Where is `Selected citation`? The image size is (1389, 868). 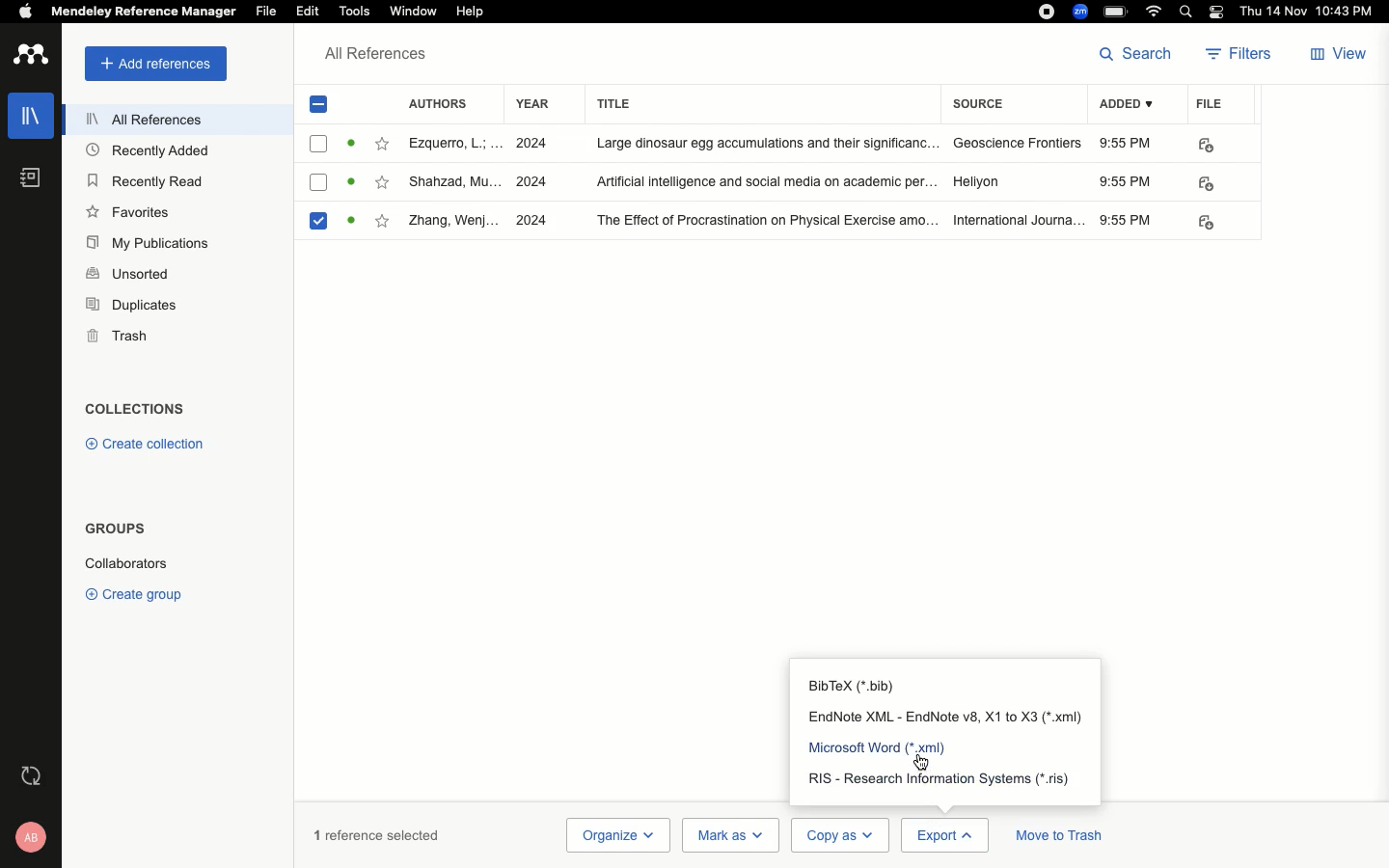
Selected citation is located at coordinates (322, 227).